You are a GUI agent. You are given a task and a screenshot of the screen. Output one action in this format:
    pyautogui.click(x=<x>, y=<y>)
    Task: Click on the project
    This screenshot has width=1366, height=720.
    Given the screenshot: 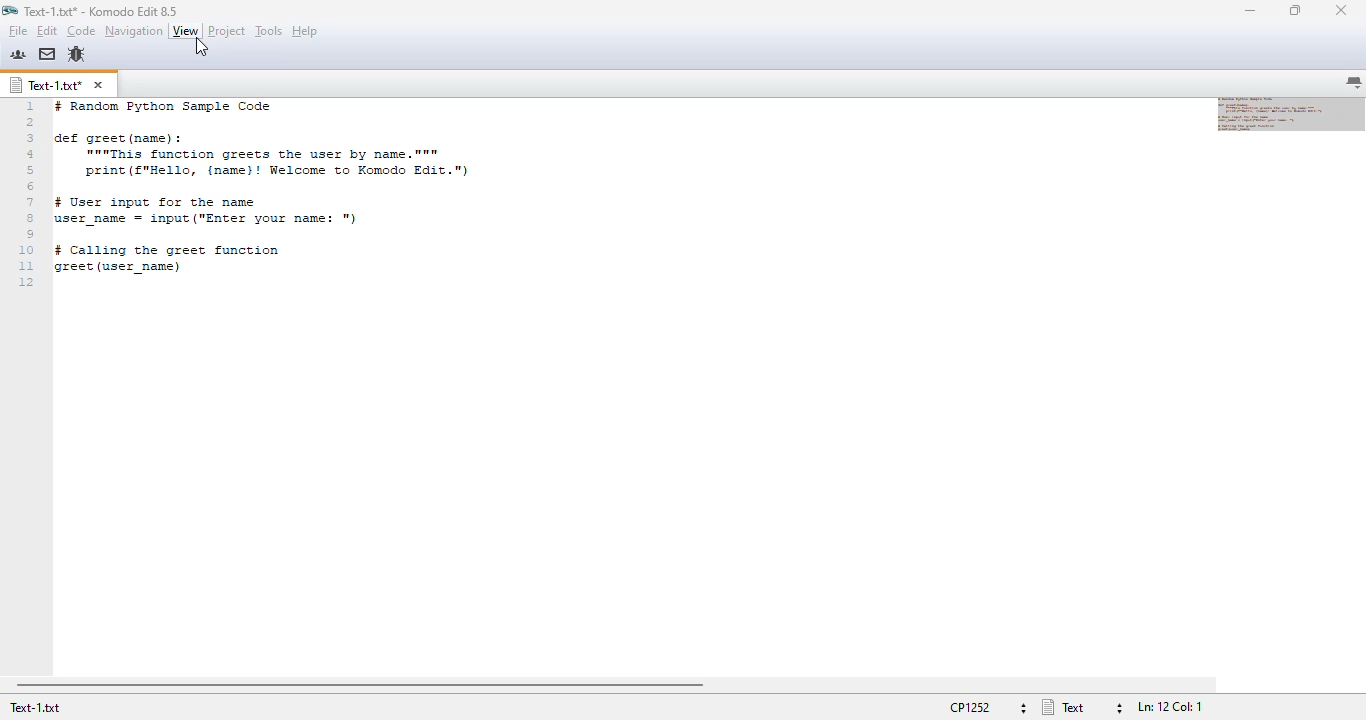 What is the action you would take?
    pyautogui.click(x=226, y=30)
    